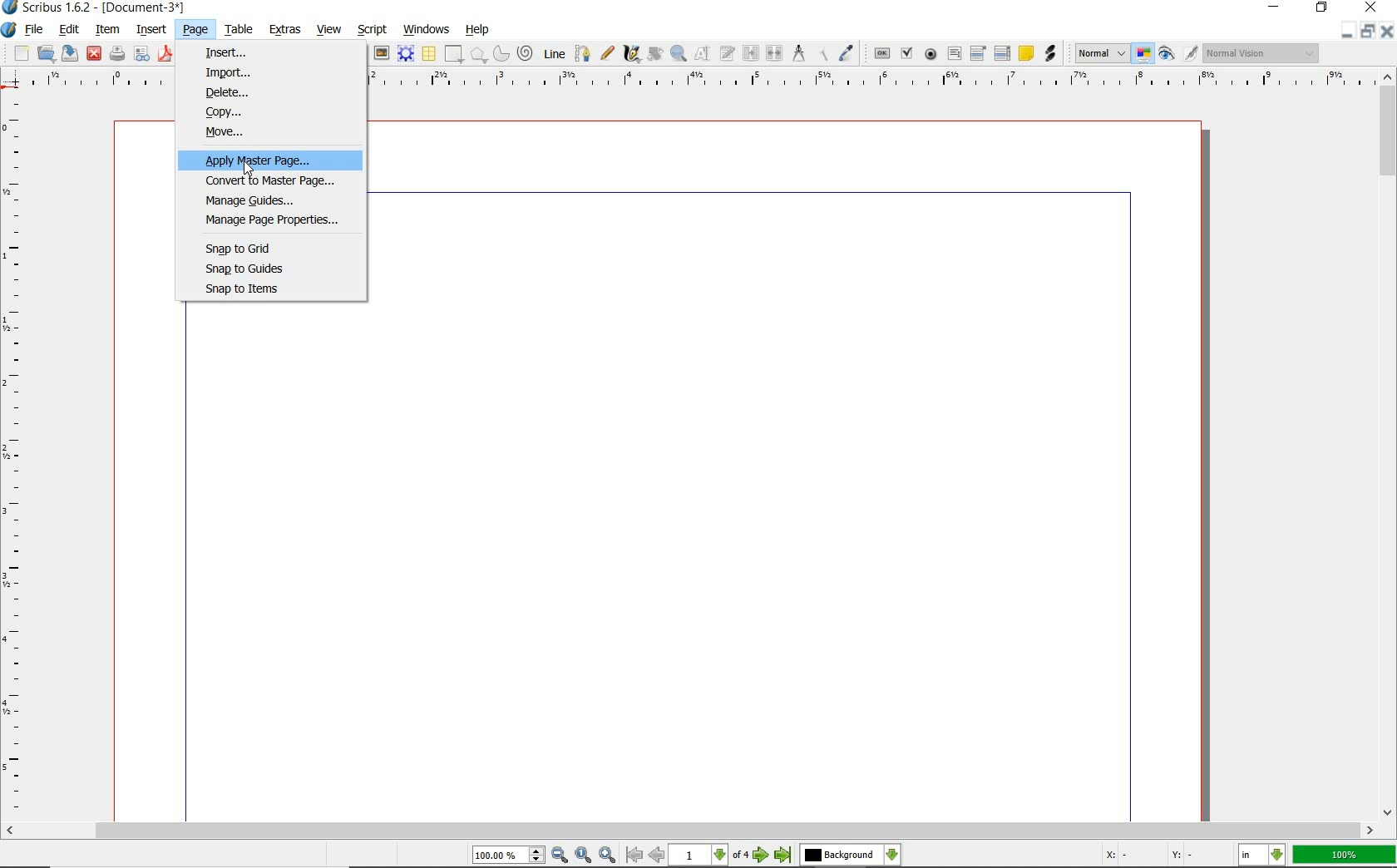 This screenshot has width=1397, height=868. Describe the element at coordinates (1191, 54) in the screenshot. I see `Edit in preview mode` at that location.